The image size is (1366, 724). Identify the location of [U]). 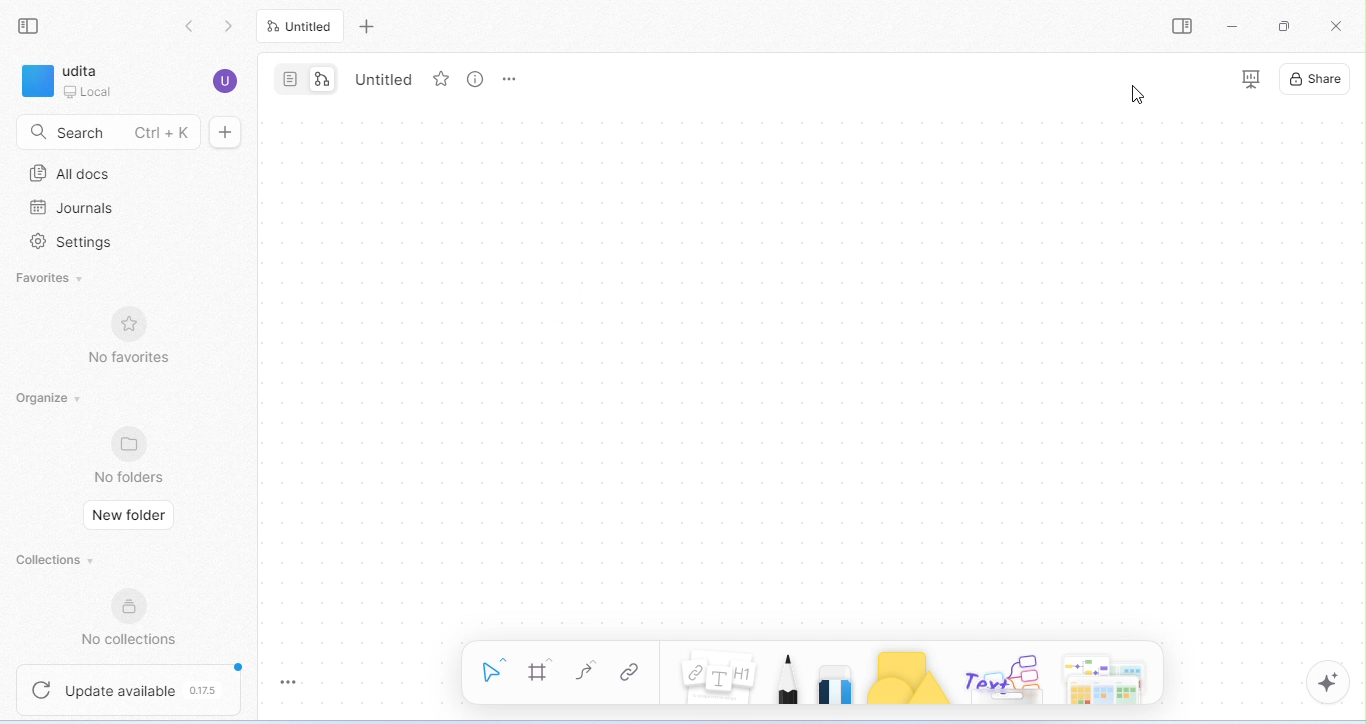
(224, 81).